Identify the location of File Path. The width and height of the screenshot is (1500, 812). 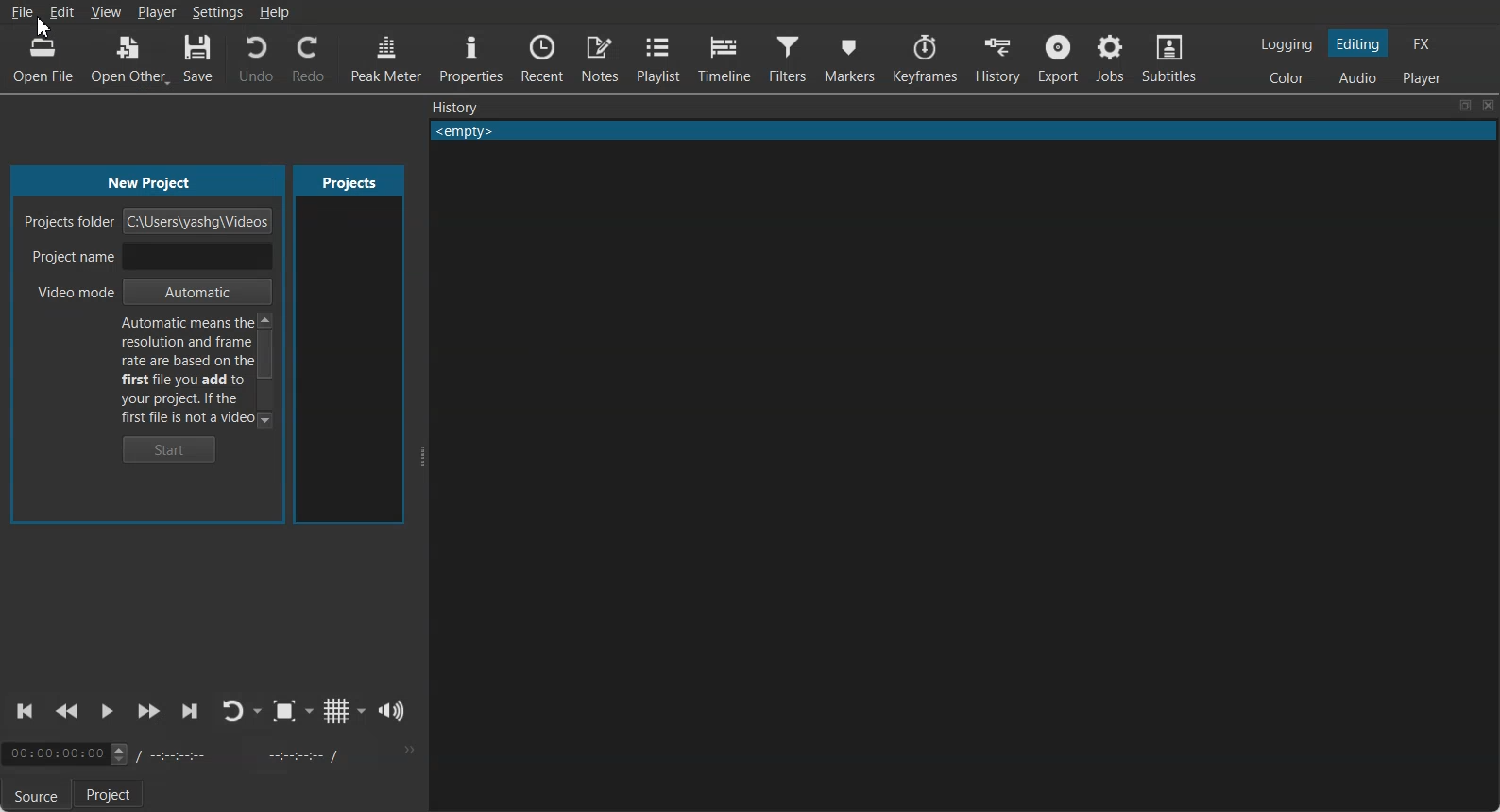
(200, 221).